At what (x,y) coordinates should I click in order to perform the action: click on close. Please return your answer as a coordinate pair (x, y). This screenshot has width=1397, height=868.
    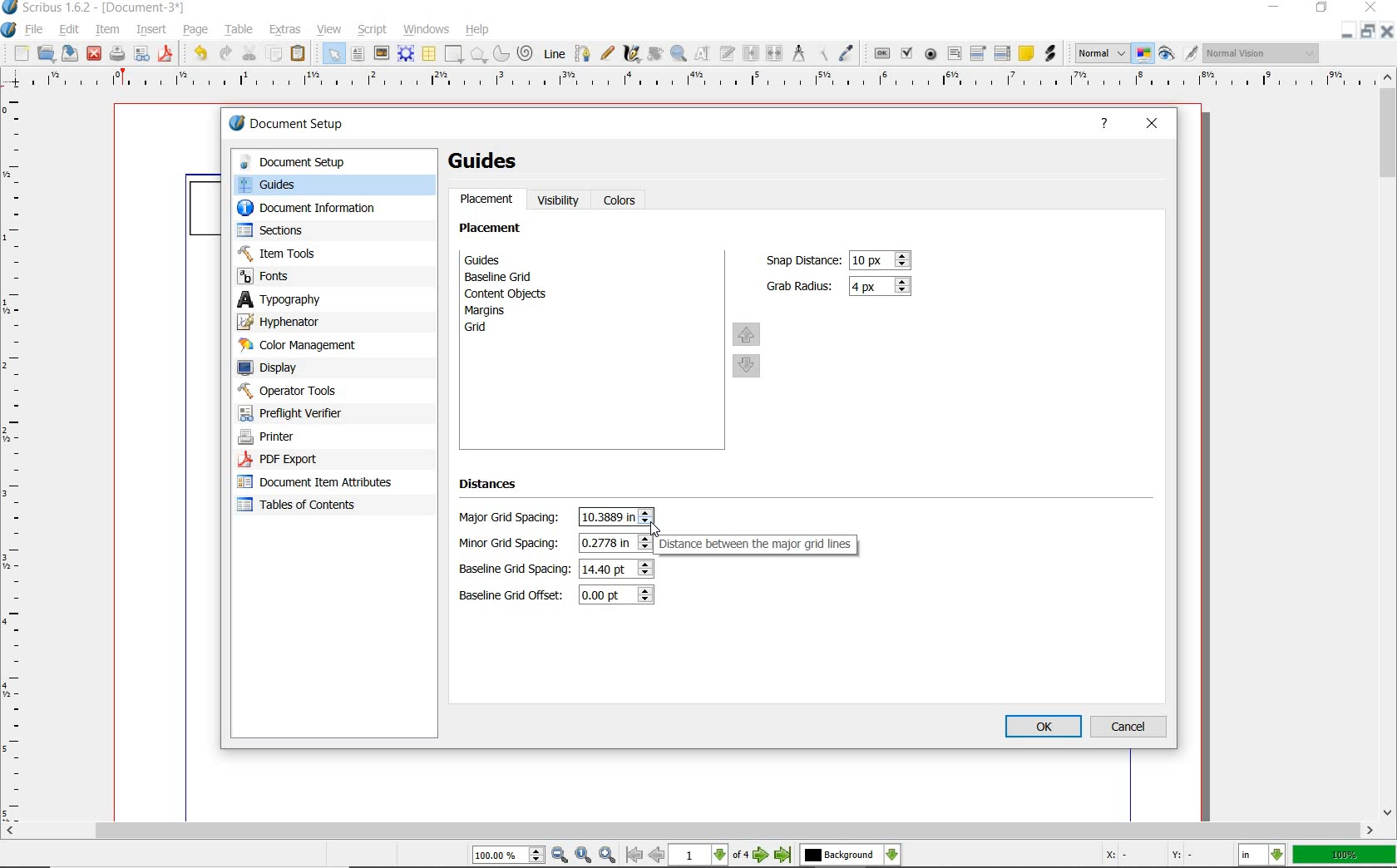
    Looking at the image, I should click on (1371, 7).